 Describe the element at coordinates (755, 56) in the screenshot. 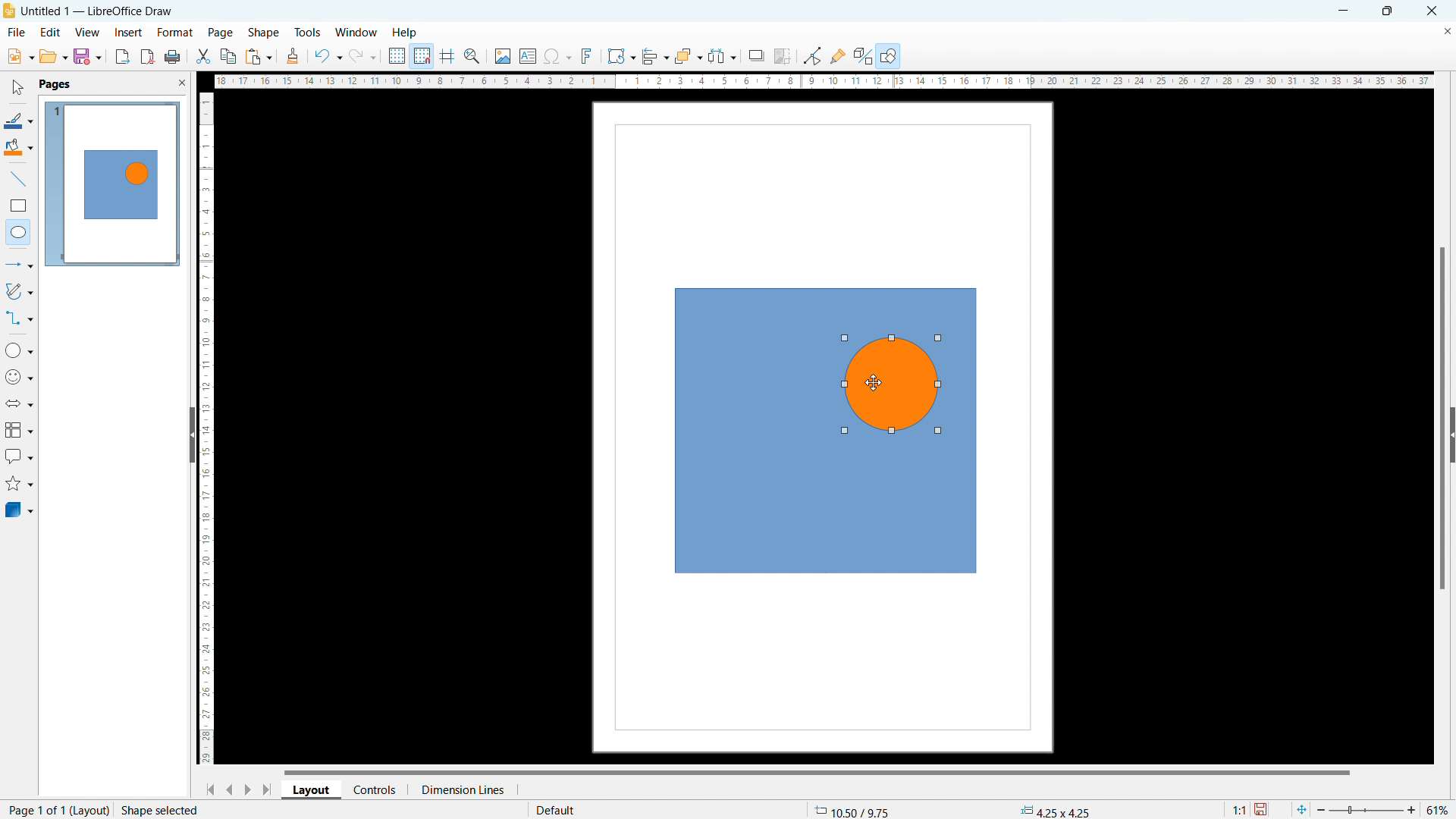

I see `shadow` at that location.